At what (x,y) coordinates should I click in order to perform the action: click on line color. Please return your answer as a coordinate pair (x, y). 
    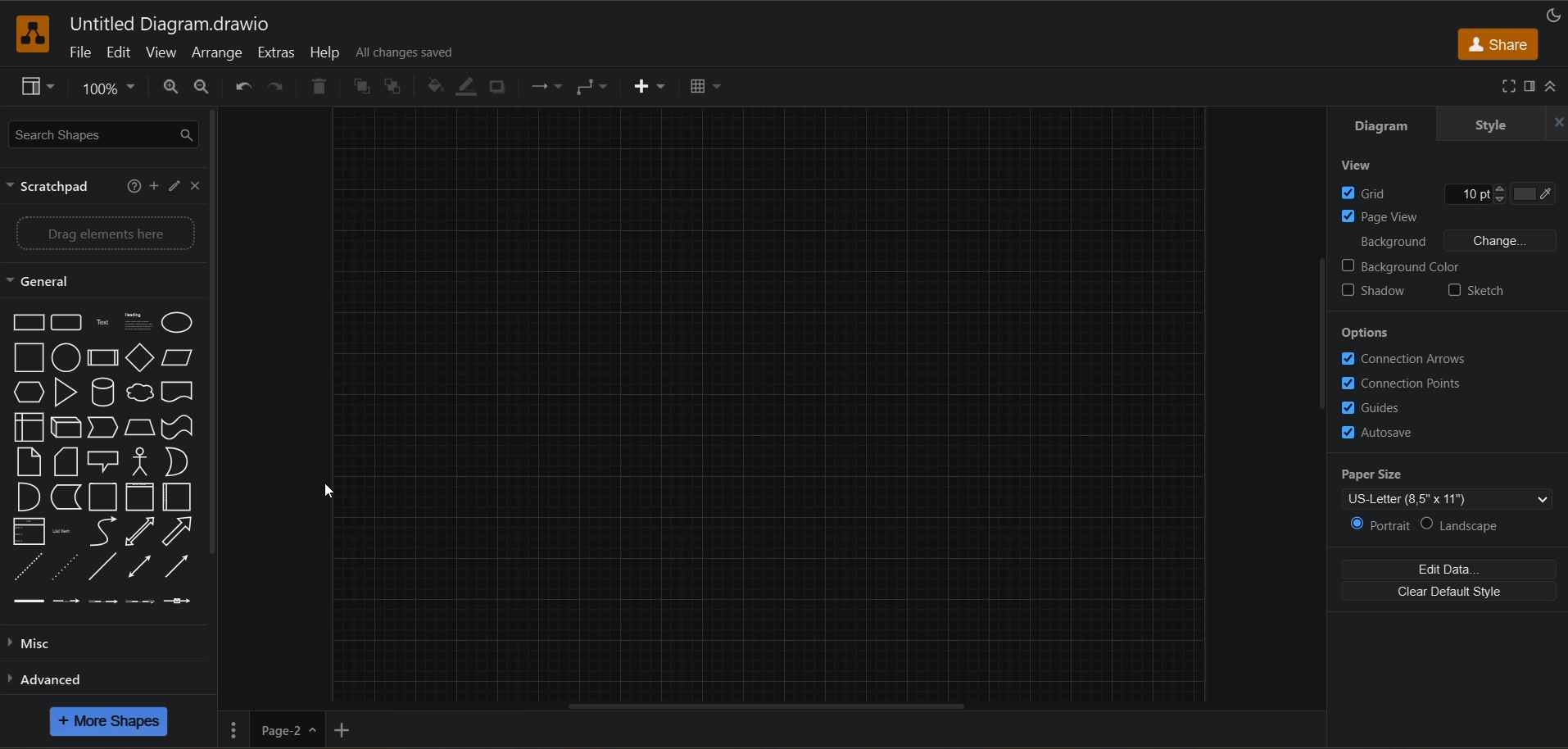
    Looking at the image, I should click on (470, 88).